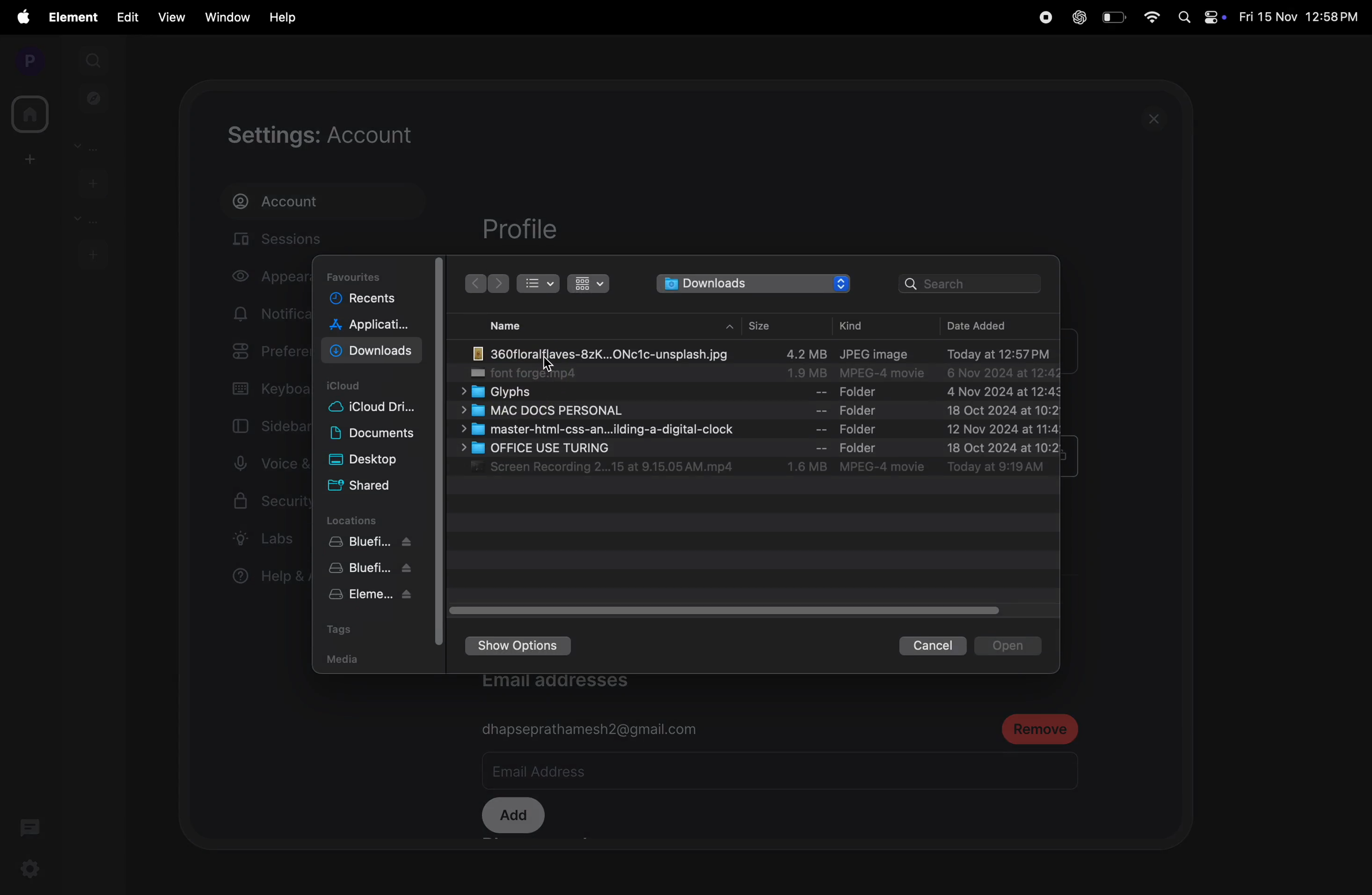  Describe the element at coordinates (476, 284) in the screenshot. I see `backward` at that location.